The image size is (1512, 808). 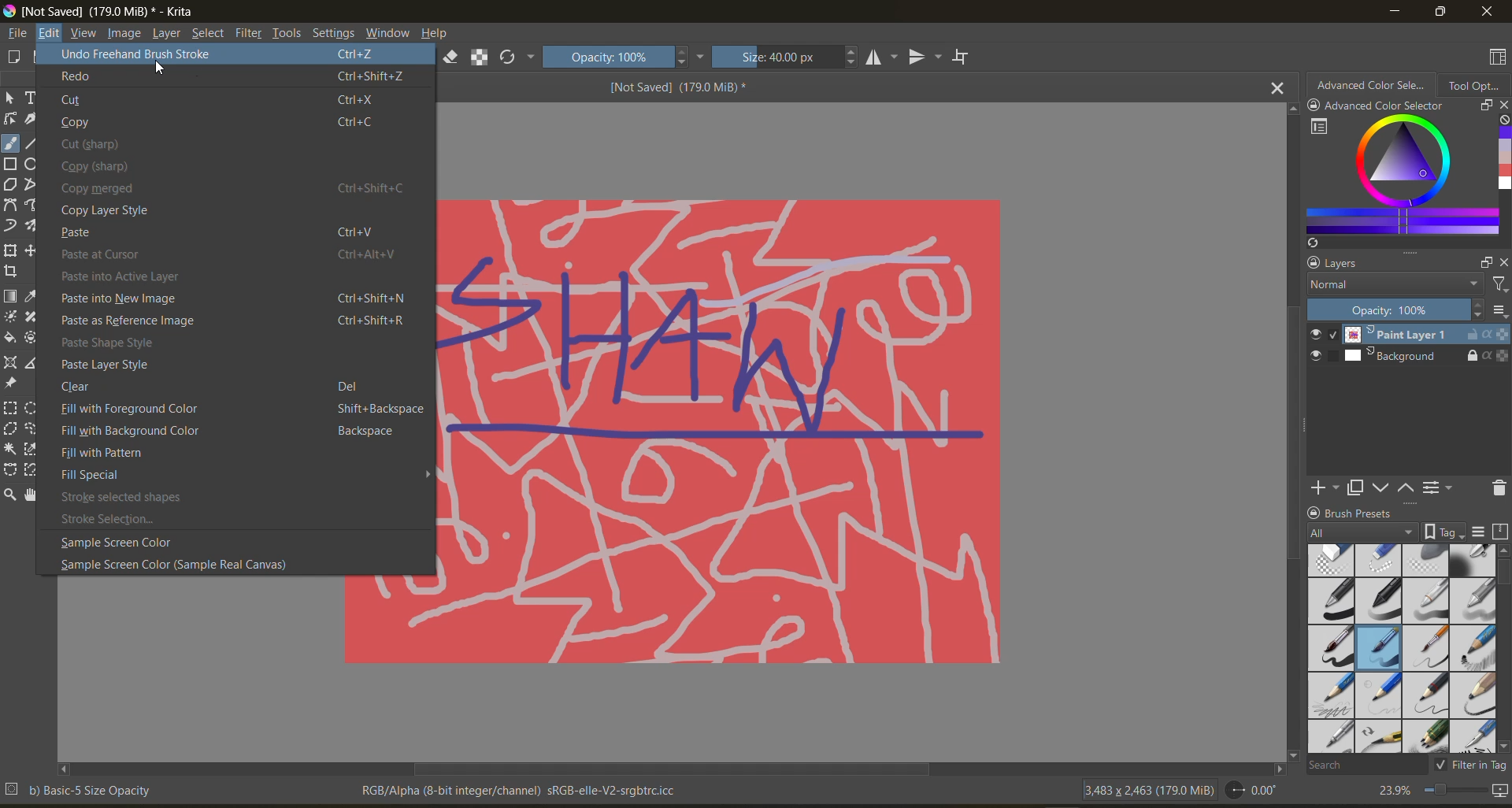 What do you see at coordinates (1503, 578) in the screenshot?
I see `vertical scroll bar` at bounding box center [1503, 578].